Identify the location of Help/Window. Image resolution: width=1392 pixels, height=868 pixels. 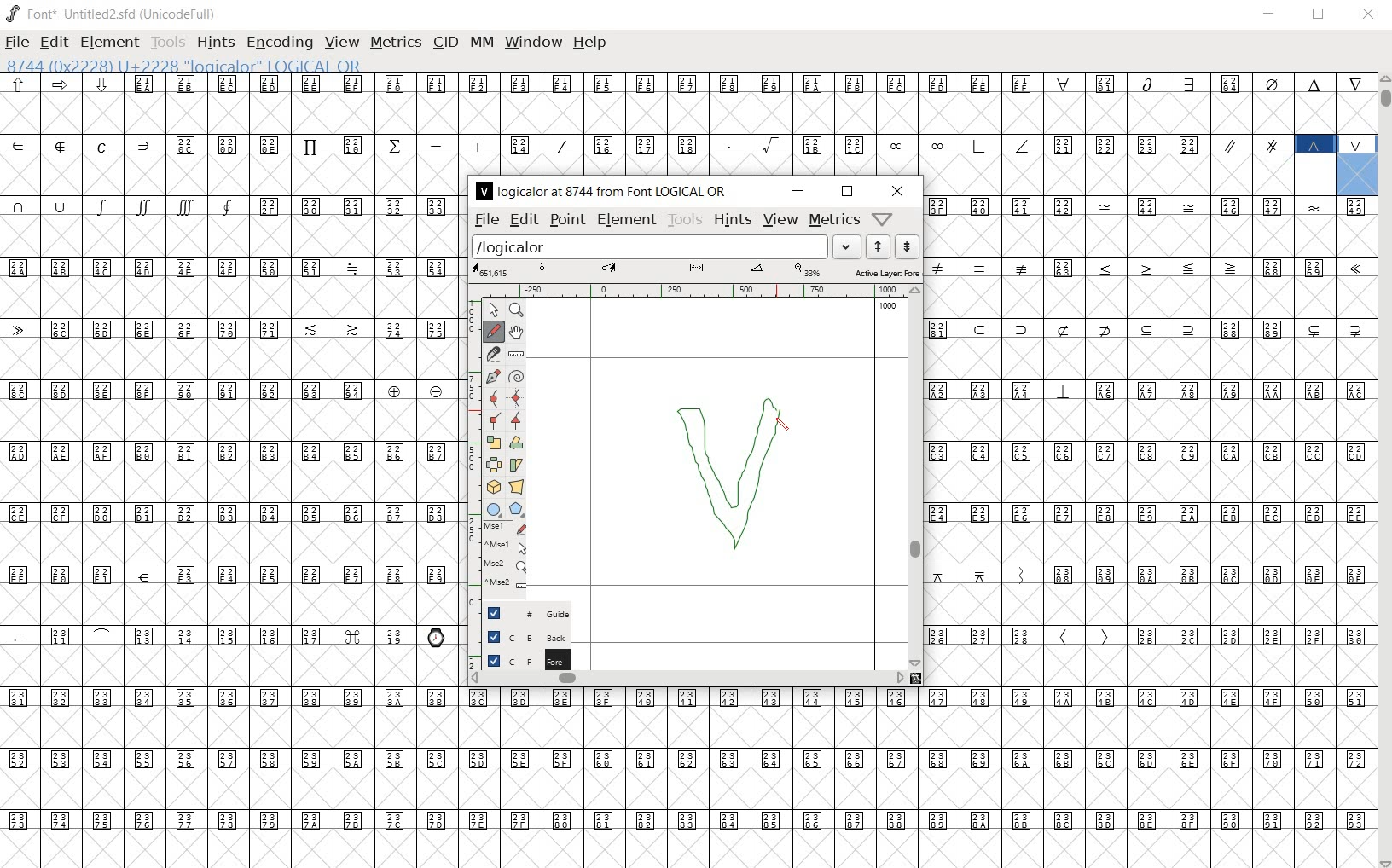
(880, 218).